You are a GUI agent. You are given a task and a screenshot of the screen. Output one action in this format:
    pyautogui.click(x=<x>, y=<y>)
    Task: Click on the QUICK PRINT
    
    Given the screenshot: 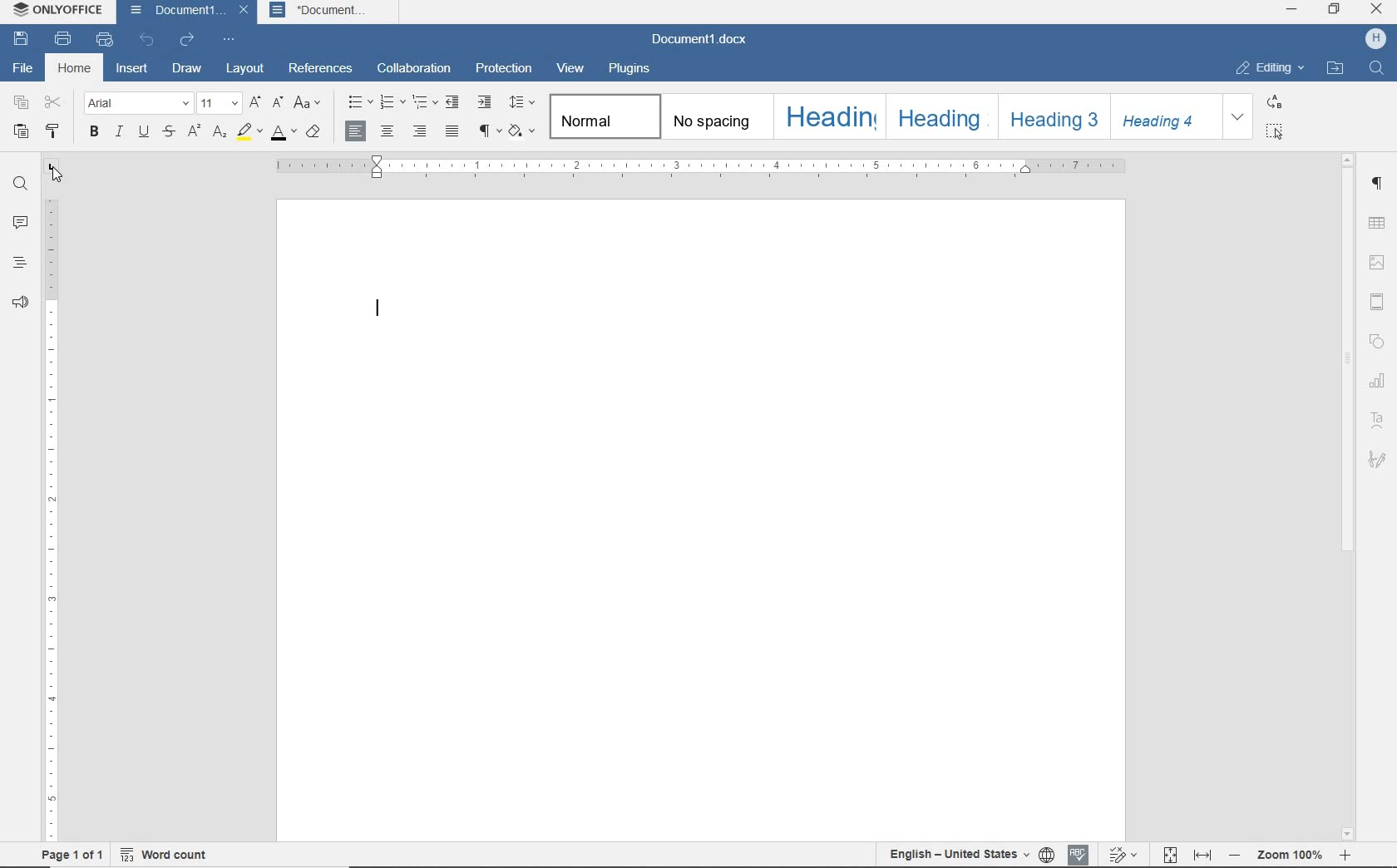 What is the action you would take?
    pyautogui.click(x=106, y=40)
    